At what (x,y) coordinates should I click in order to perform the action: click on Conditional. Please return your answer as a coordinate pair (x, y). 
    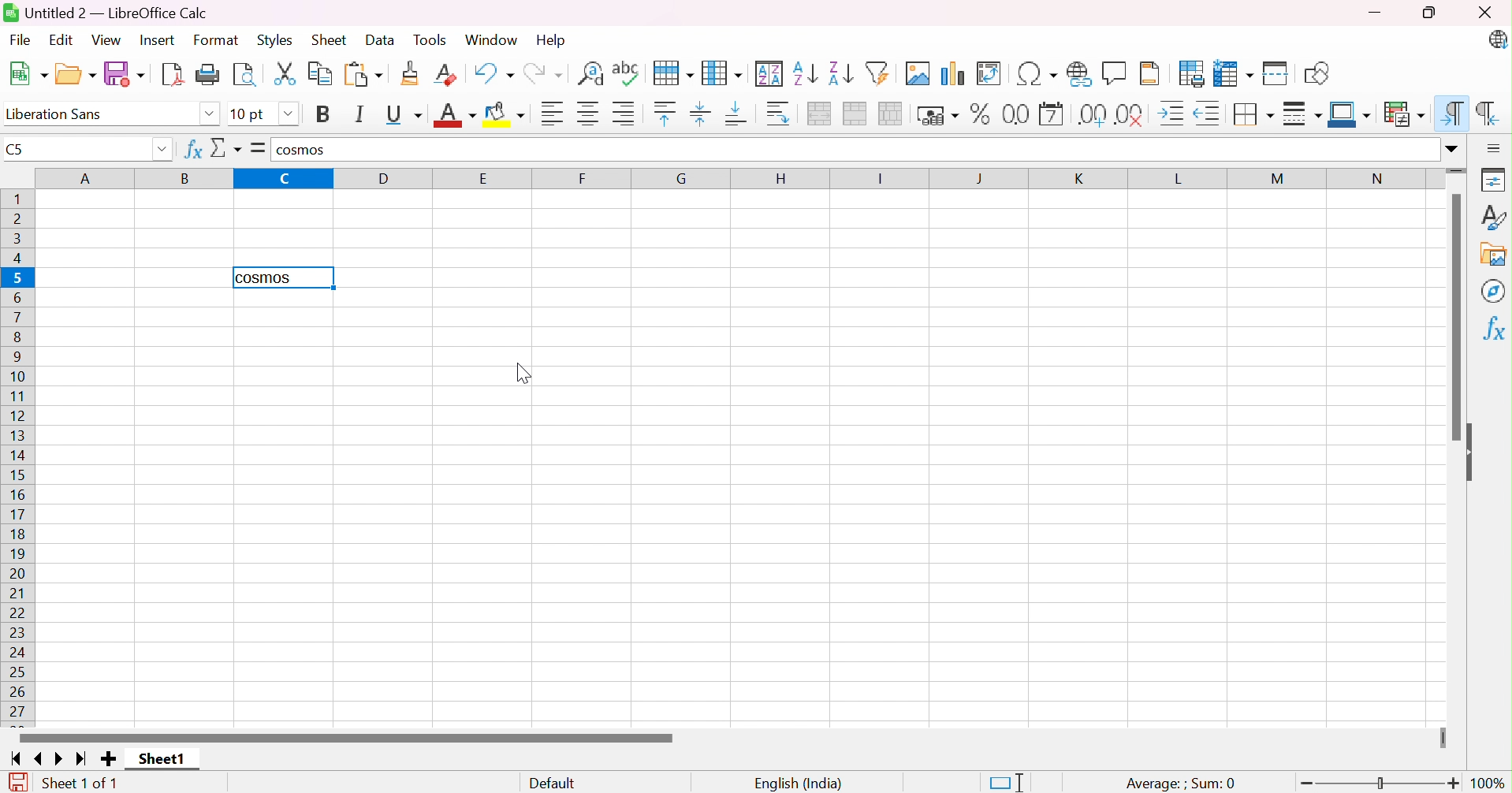
    Looking at the image, I should click on (1405, 114).